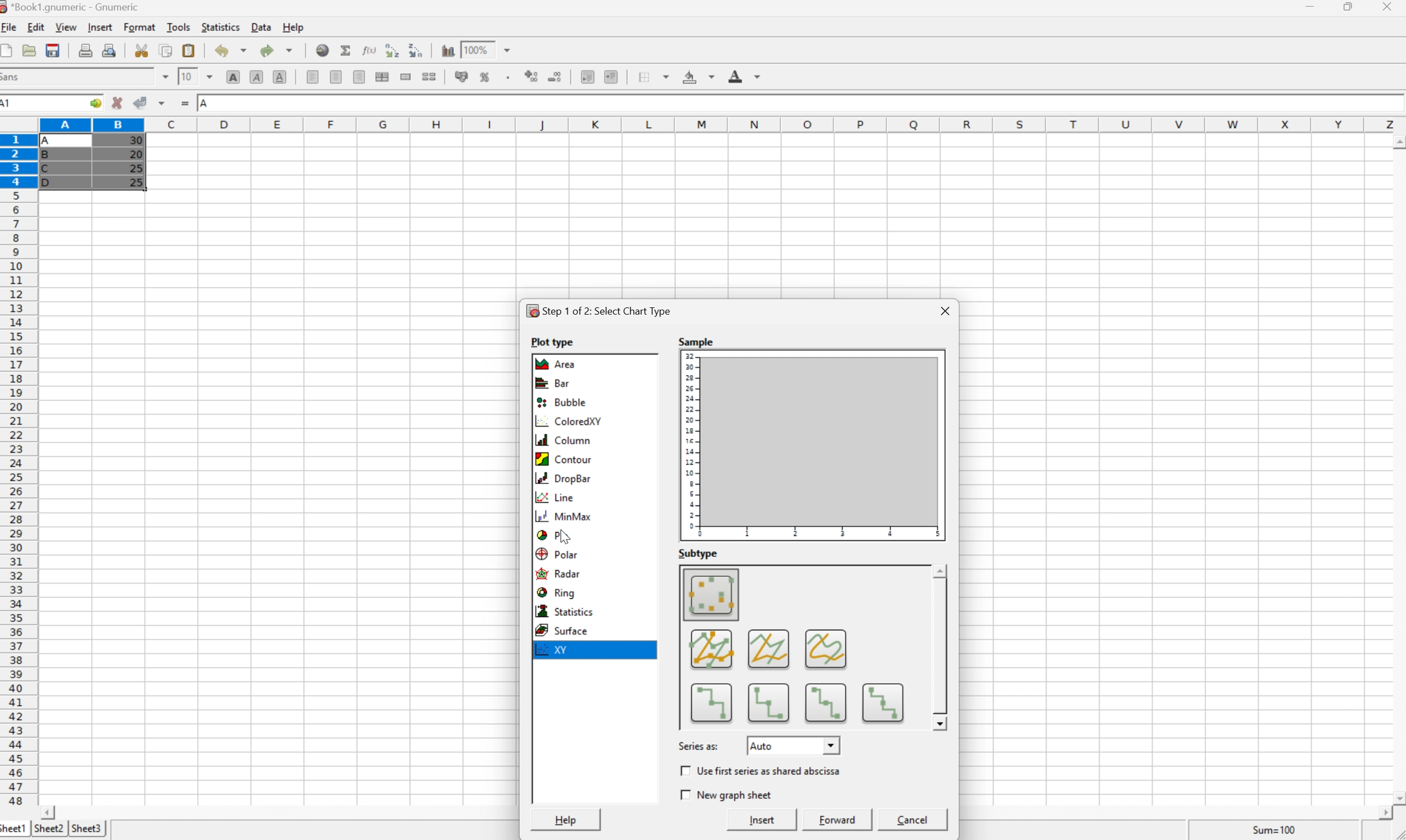 The width and height of the screenshot is (1406, 840). Describe the element at coordinates (139, 102) in the screenshot. I see `Accept Changes` at that location.